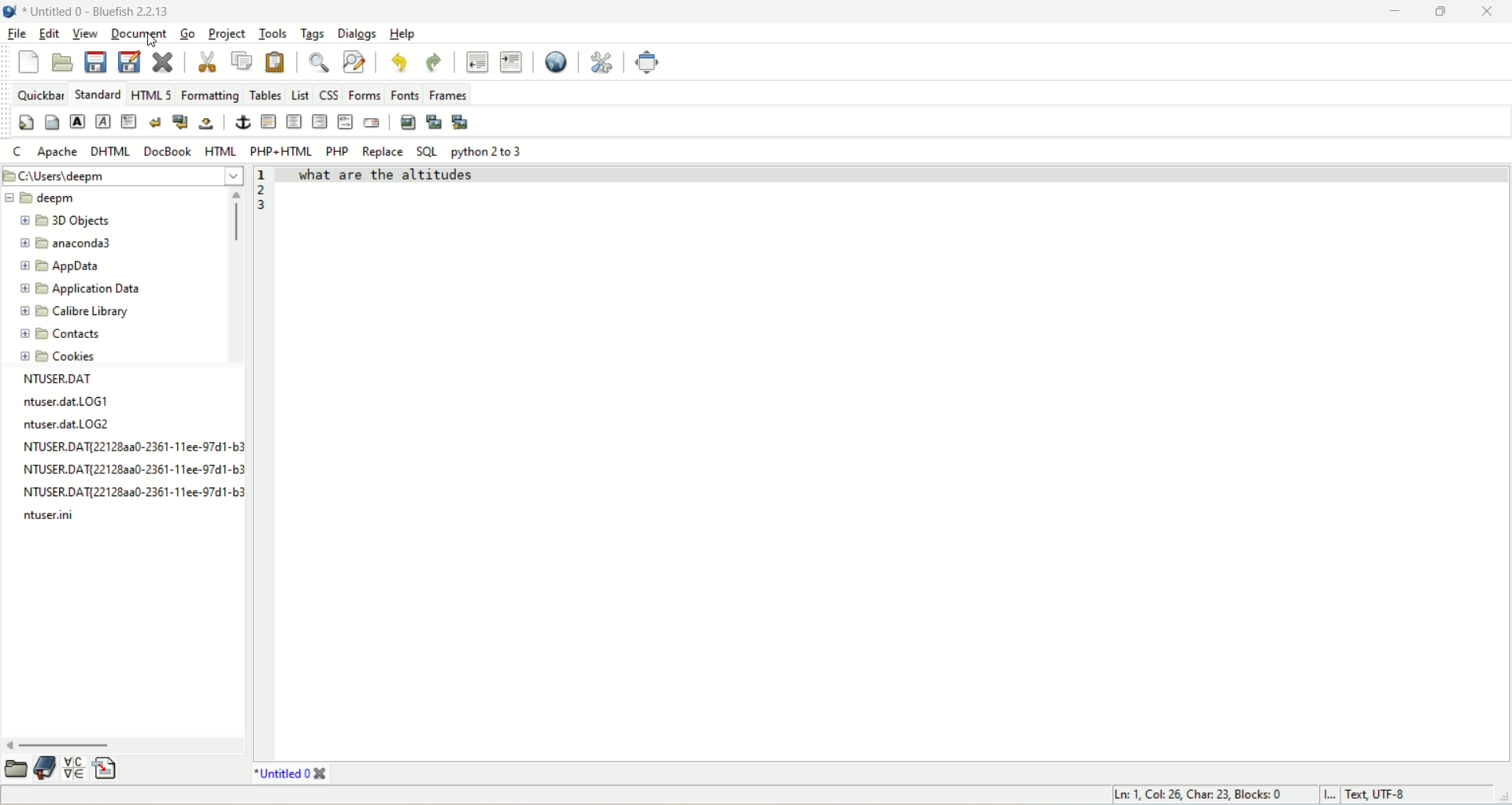  I want to click on file, so click(17, 36).